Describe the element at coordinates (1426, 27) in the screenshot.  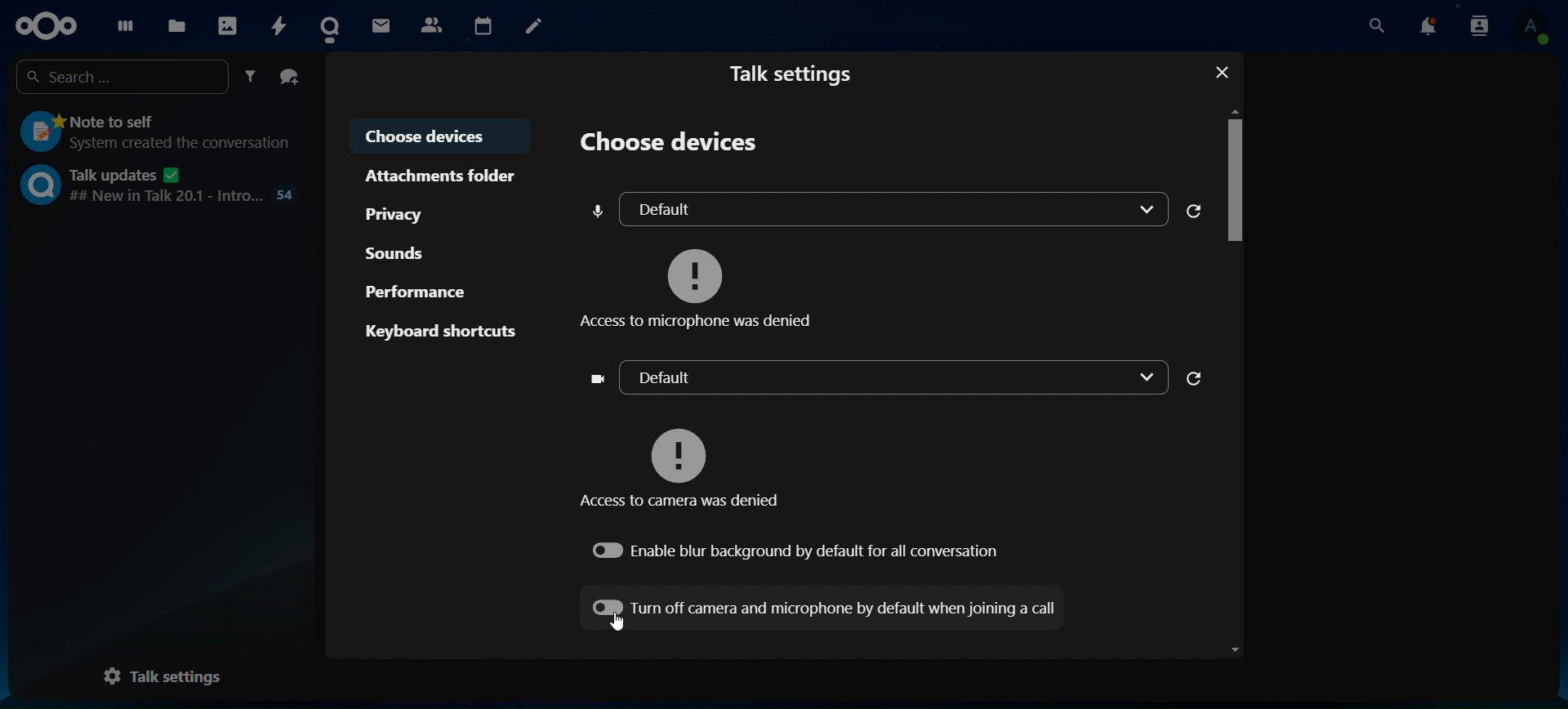
I see `notifications` at that location.